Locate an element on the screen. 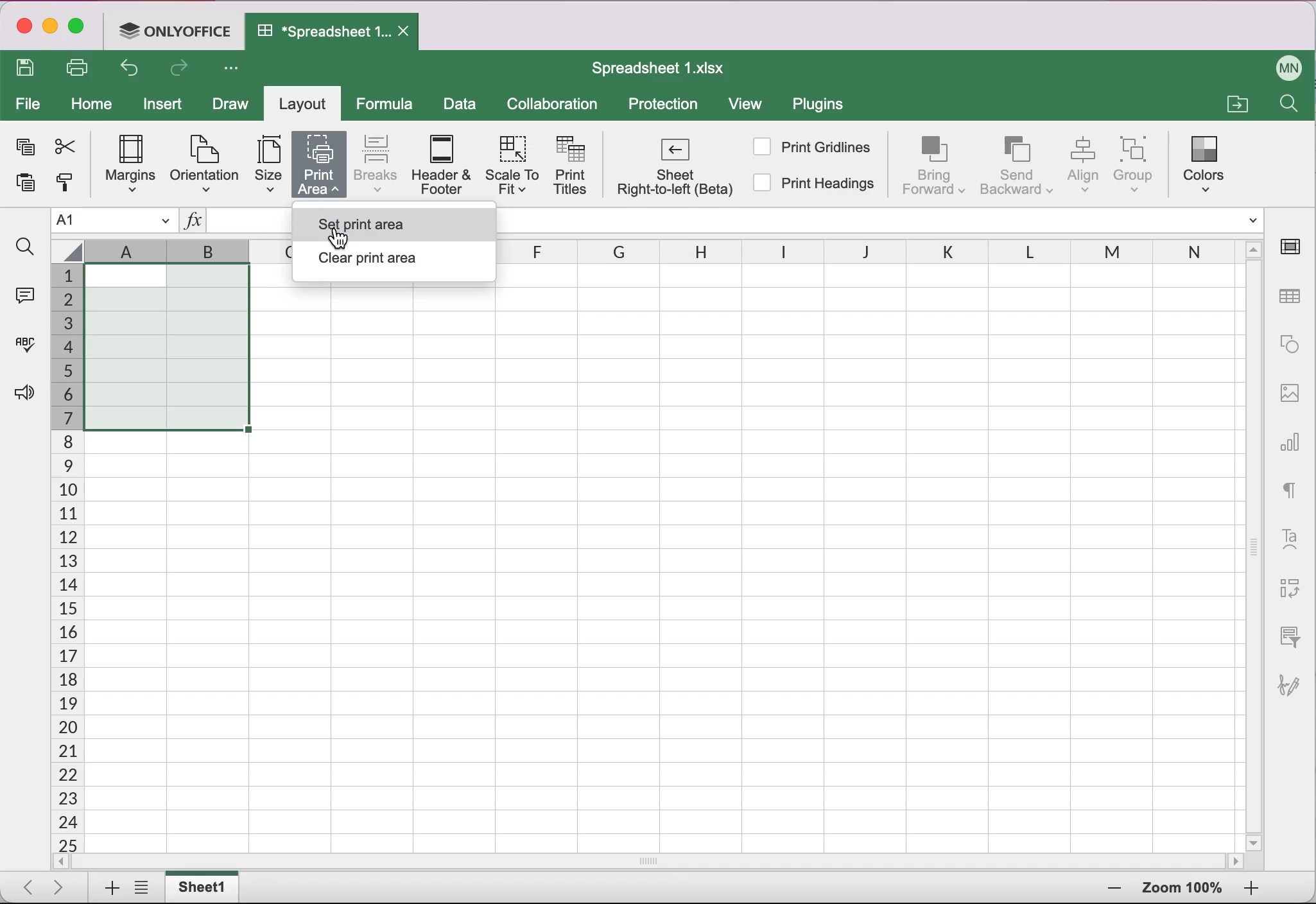  draw is located at coordinates (229, 106).